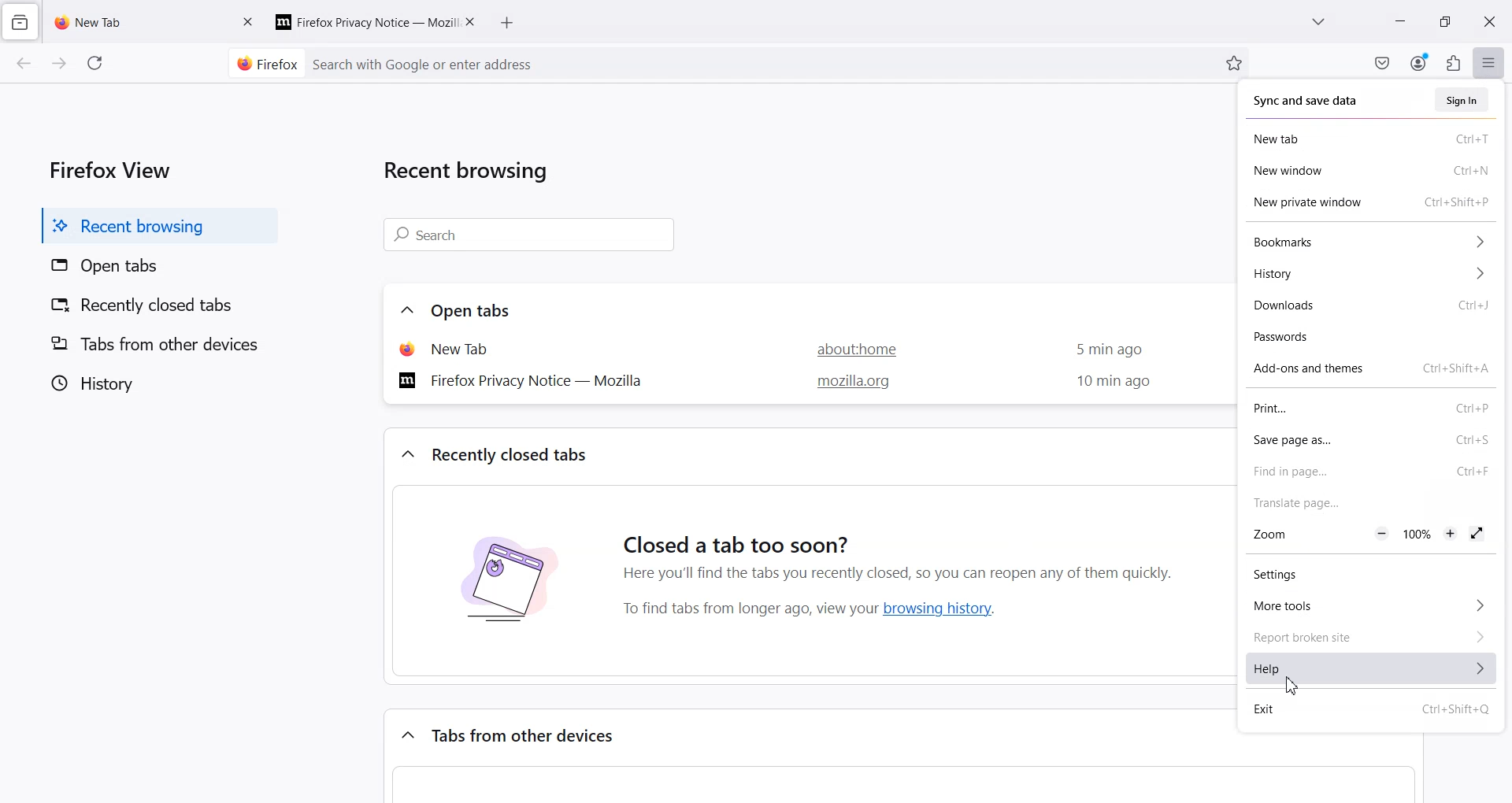 Image resolution: width=1512 pixels, height=803 pixels. Describe the element at coordinates (154, 225) in the screenshot. I see `Recent browsing` at that location.